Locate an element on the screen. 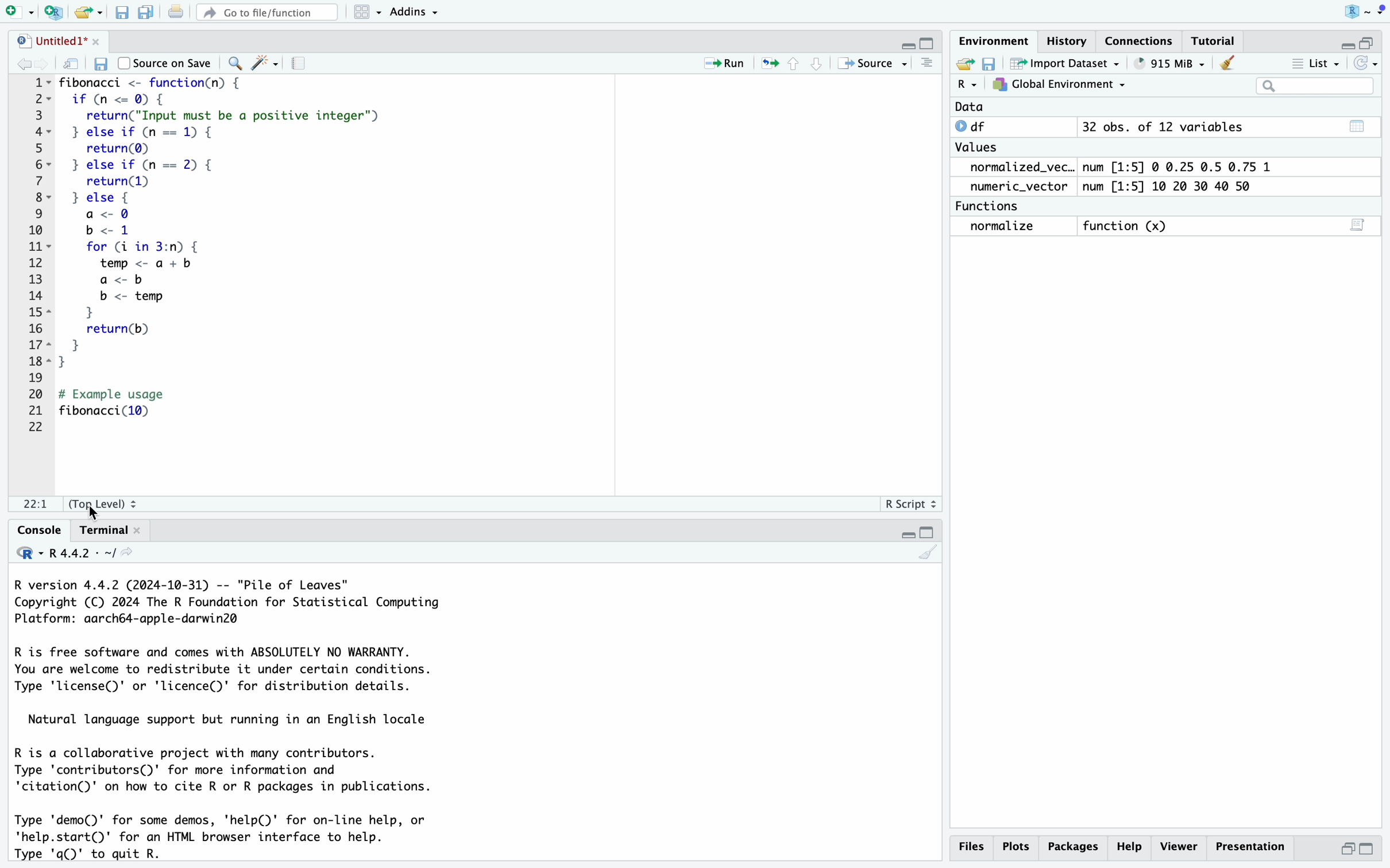 Image resolution: width=1390 pixels, height=868 pixels. R is free software and comes with ABSOLUTELY NO WARRANTY.
You are welcome to redistribute it under certain conditions.
Type 'license()' or 'licence()' for distribution details. is located at coordinates (250, 672).